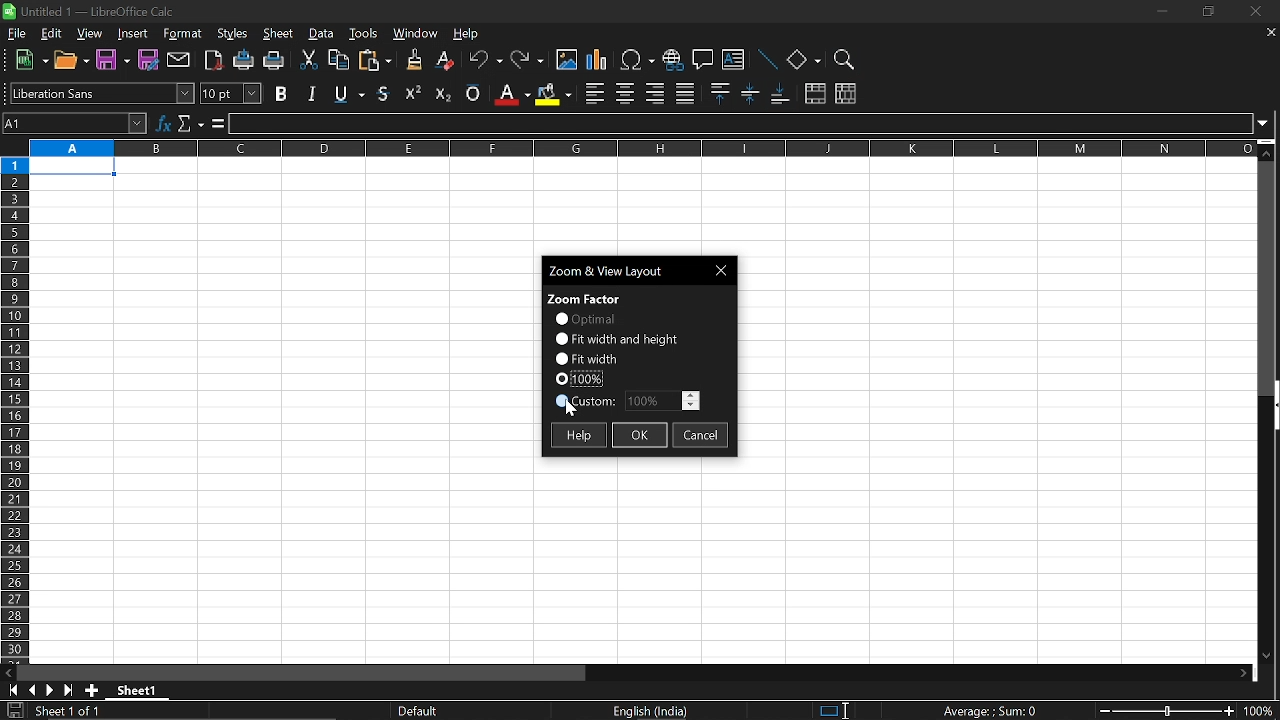 The image size is (1280, 720). Describe the element at coordinates (233, 35) in the screenshot. I see `styles` at that location.